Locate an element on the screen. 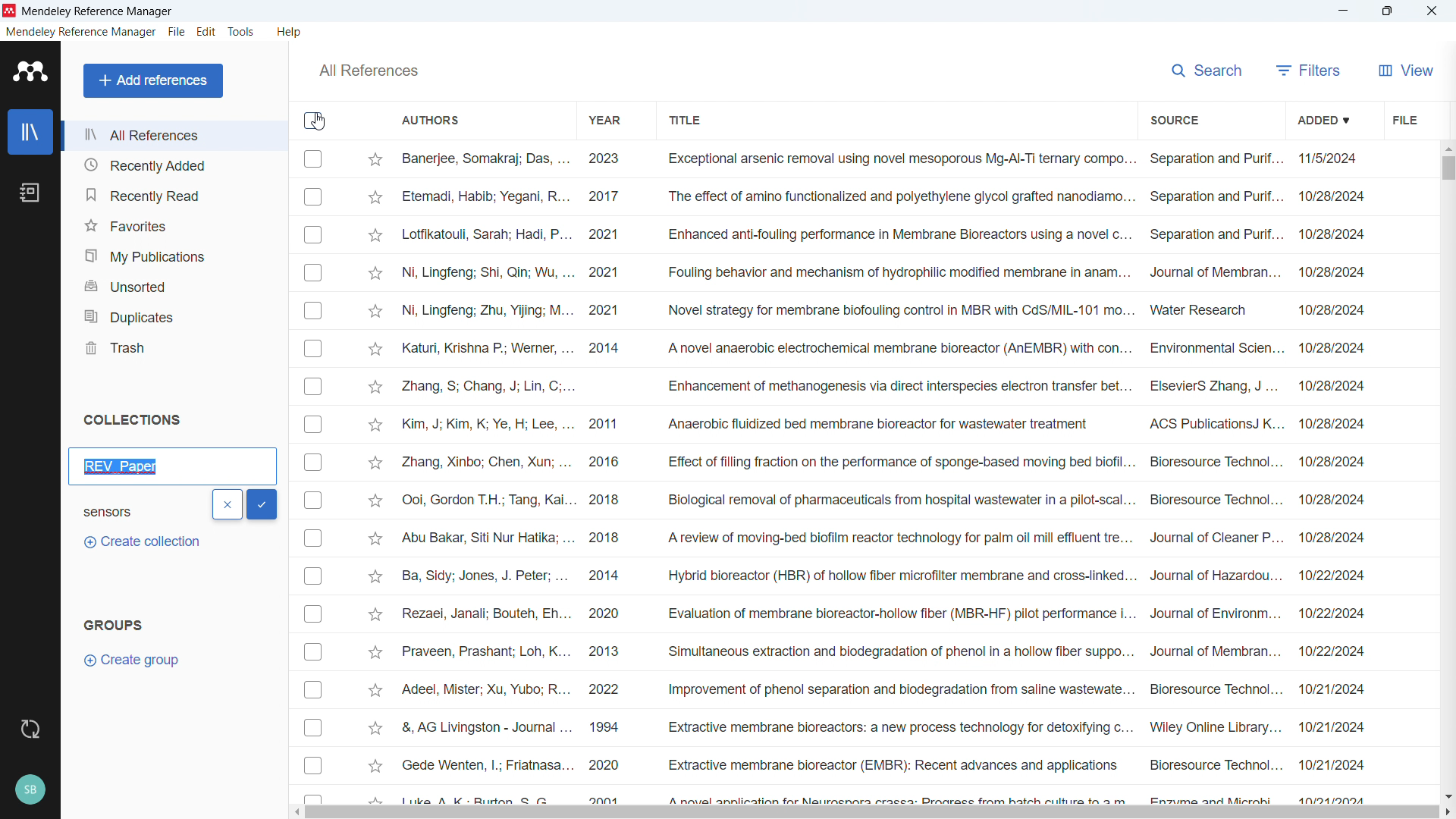  Select respective publication is located at coordinates (312, 727).